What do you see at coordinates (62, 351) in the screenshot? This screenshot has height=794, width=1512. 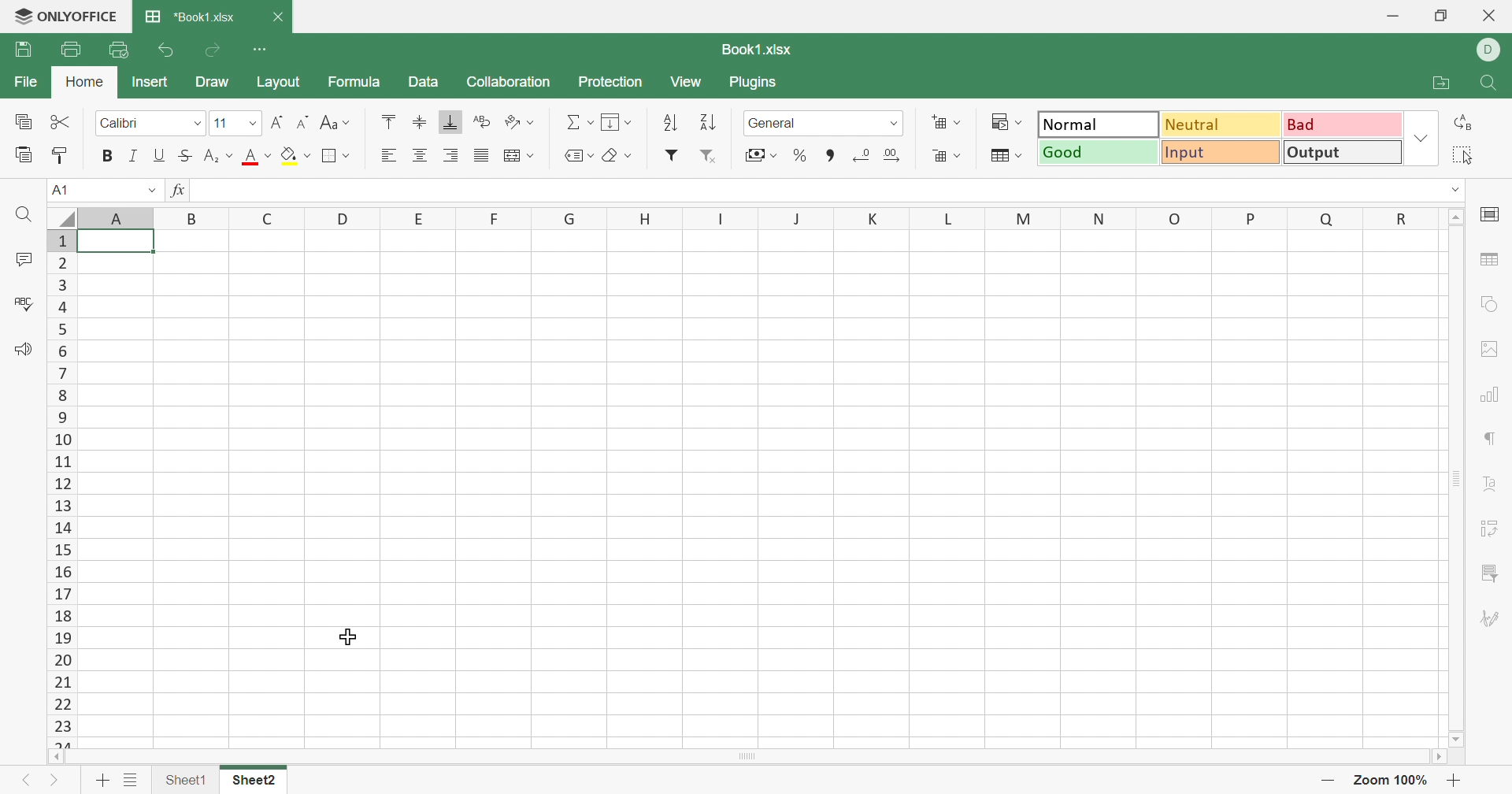 I see `6` at bounding box center [62, 351].